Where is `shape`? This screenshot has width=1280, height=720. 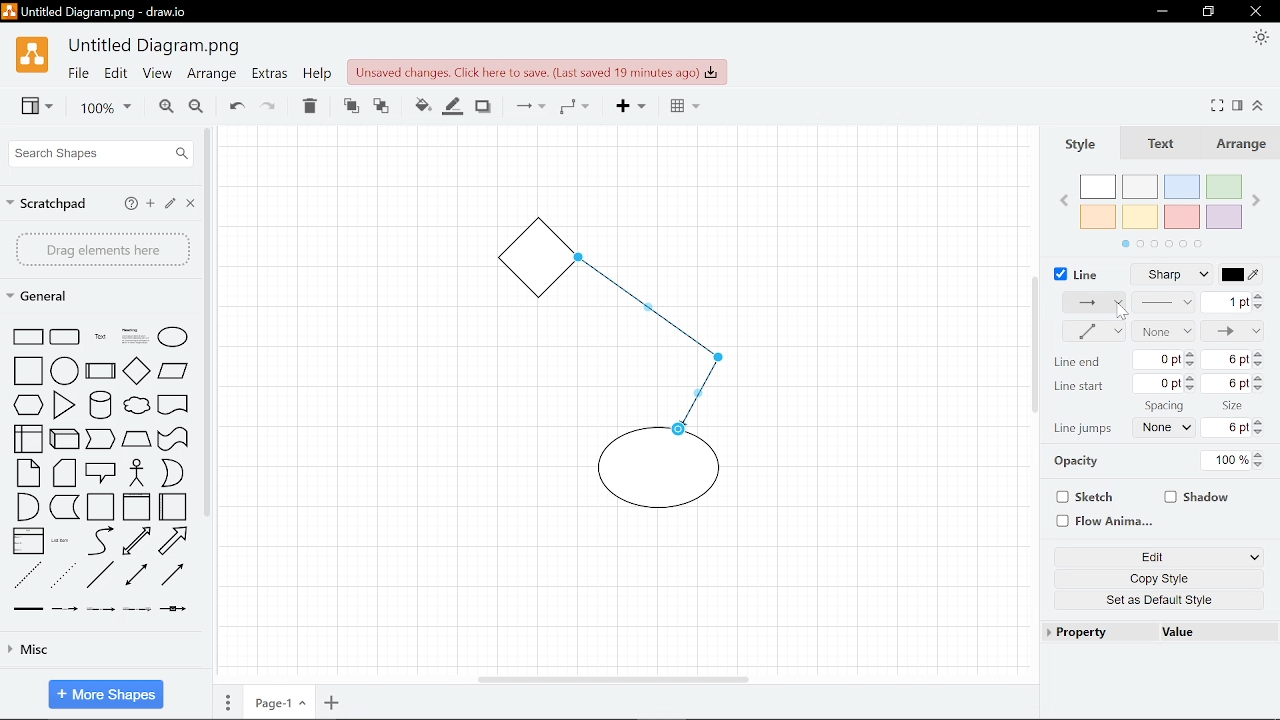 shape is located at coordinates (63, 542).